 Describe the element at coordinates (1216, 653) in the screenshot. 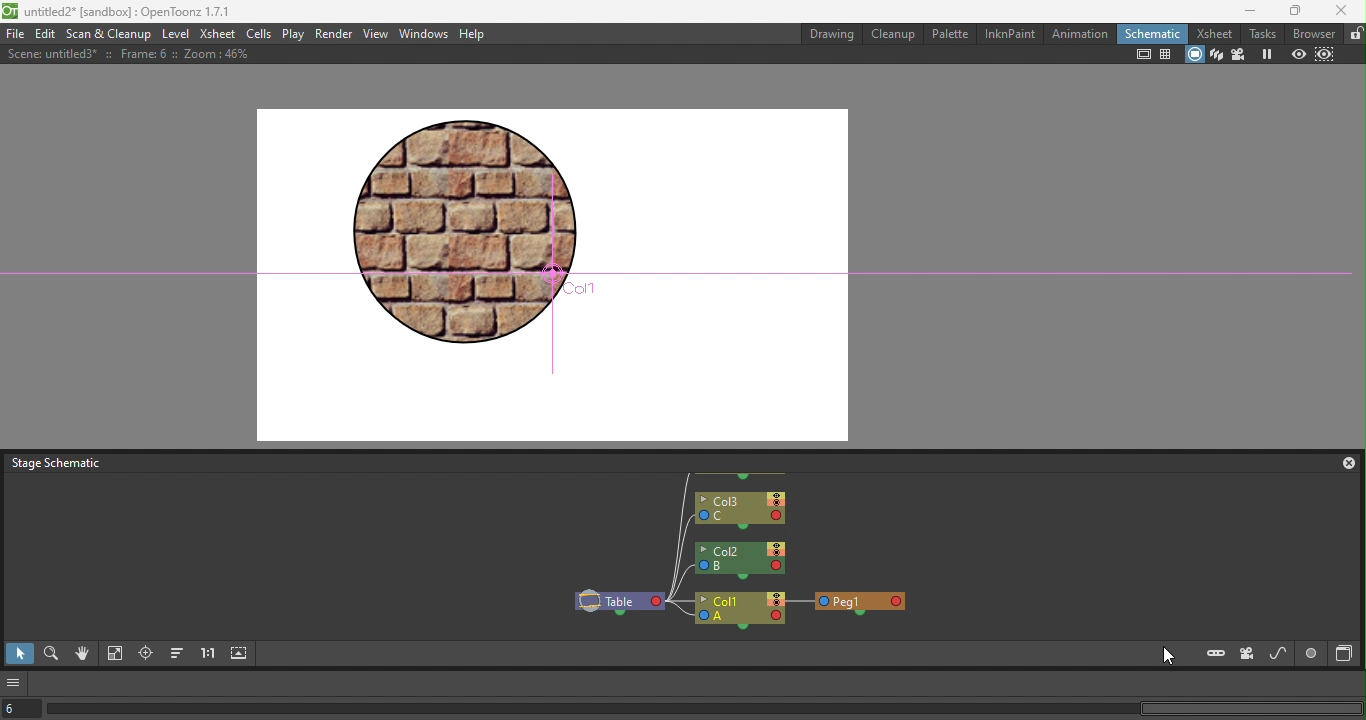

I see `New pegbar` at that location.